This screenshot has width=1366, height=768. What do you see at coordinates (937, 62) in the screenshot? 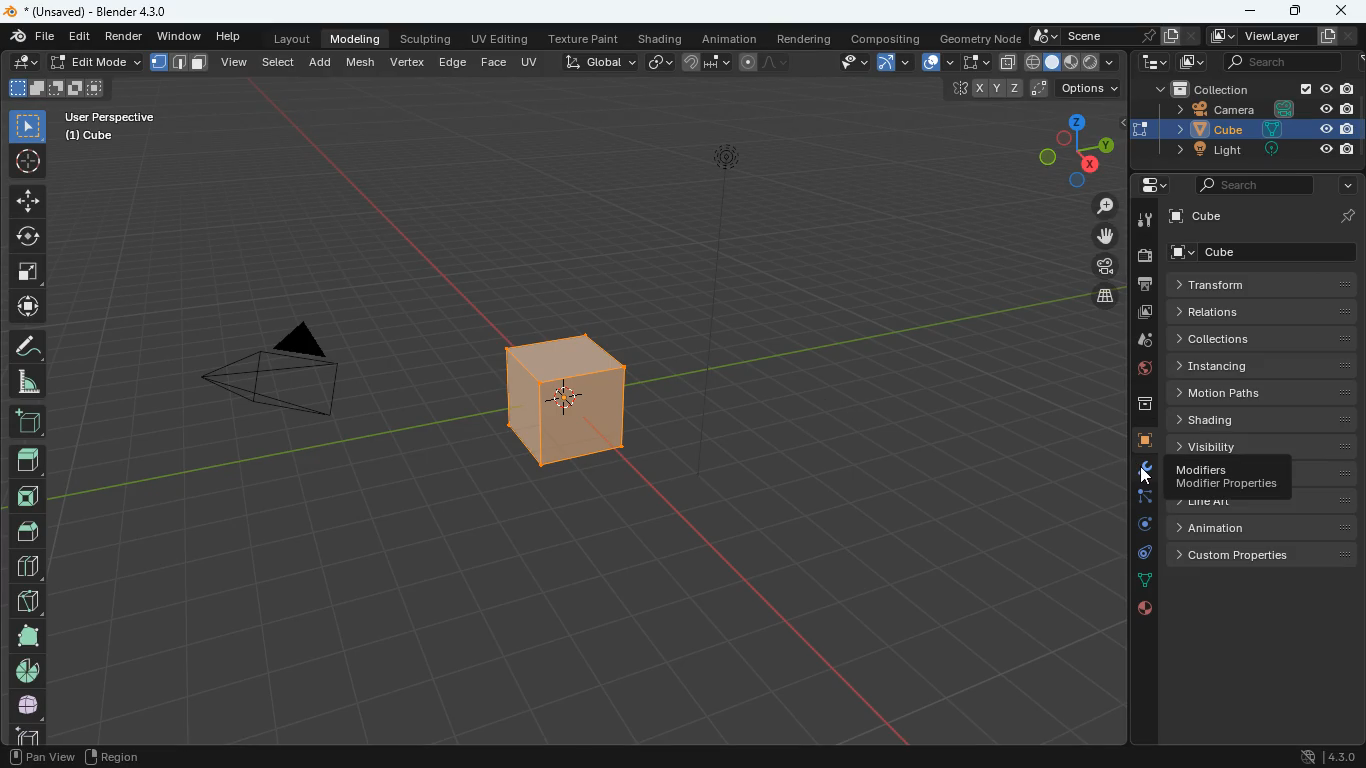
I see `overlap` at bounding box center [937, 62].